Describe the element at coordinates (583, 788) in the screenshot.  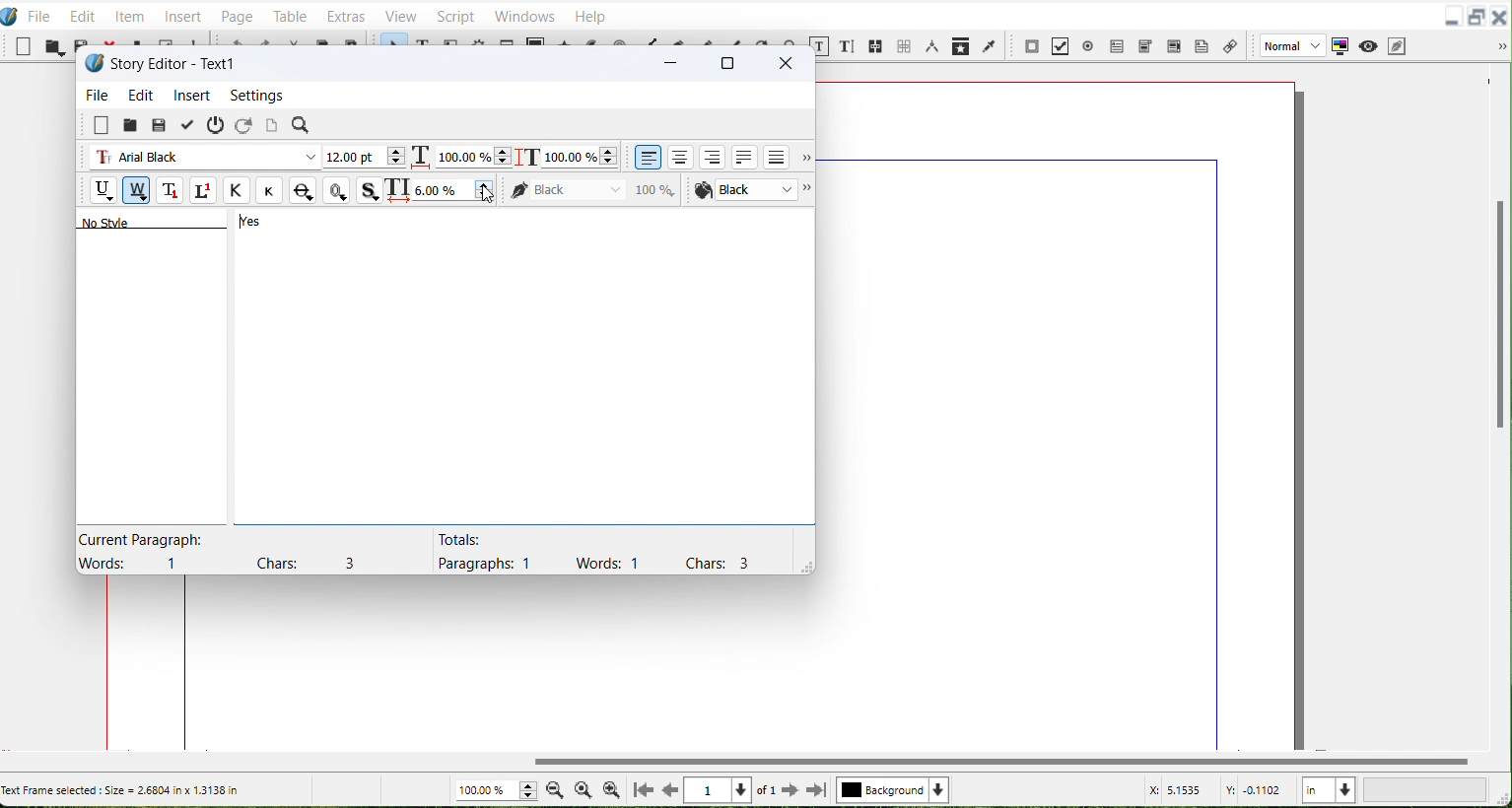
I see `Zoom to 100%` at that location.